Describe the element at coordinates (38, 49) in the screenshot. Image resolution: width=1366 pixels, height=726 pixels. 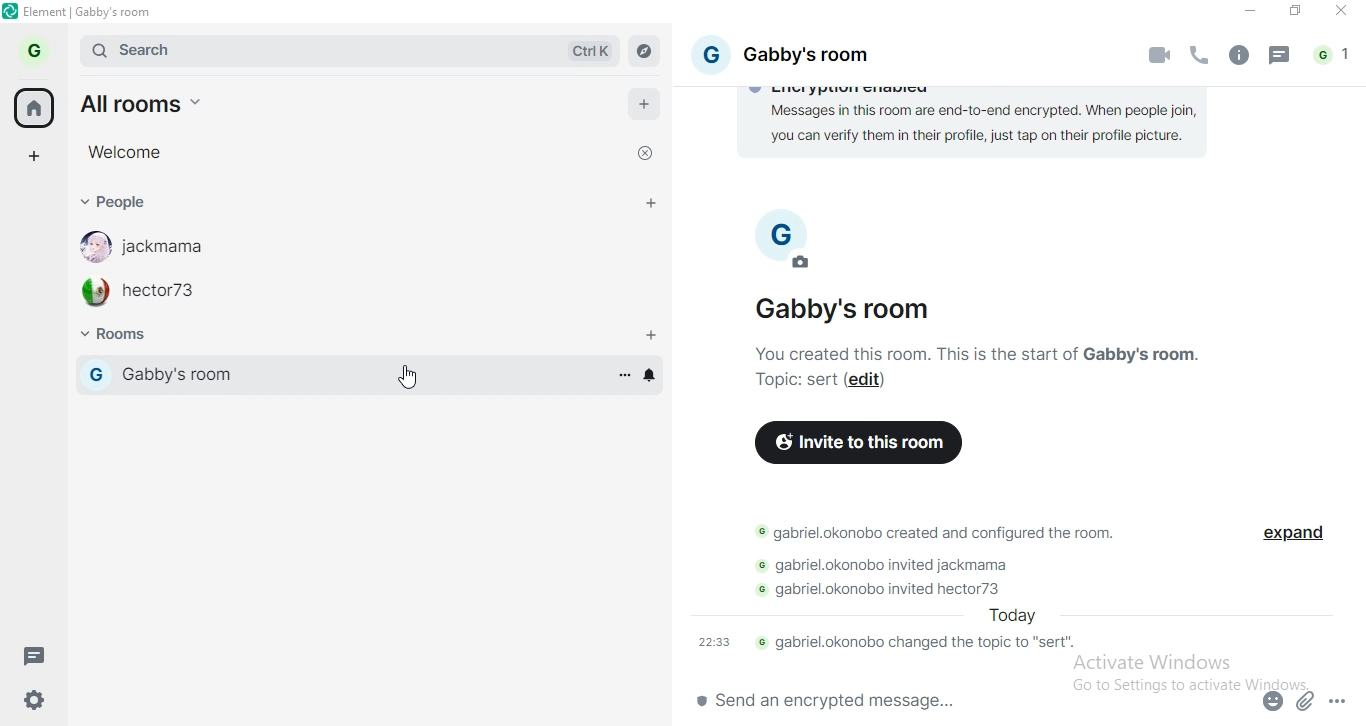
I see `profile` at that location.